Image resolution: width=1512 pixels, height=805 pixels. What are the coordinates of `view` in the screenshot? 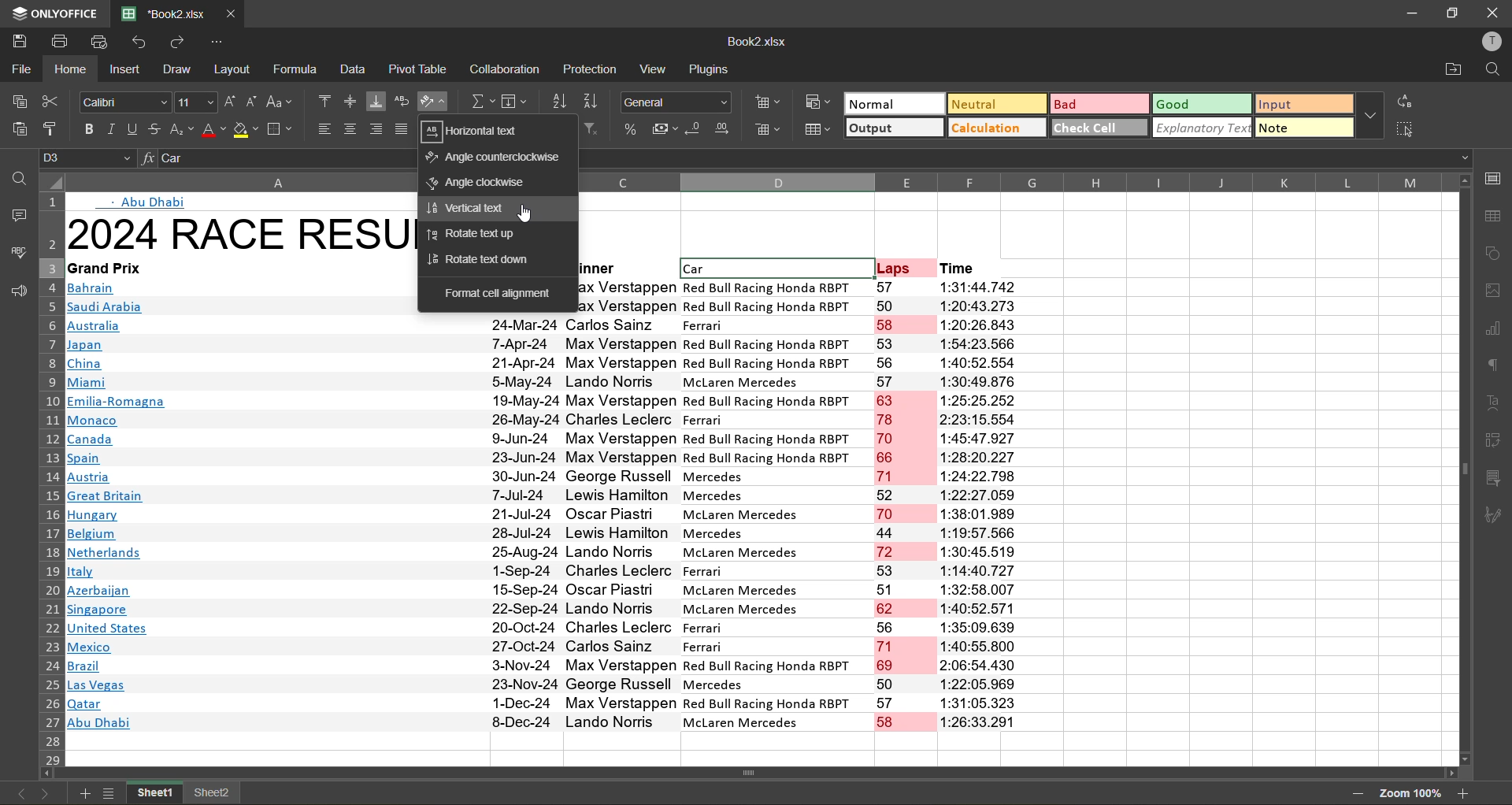 It's located at (658, 71).